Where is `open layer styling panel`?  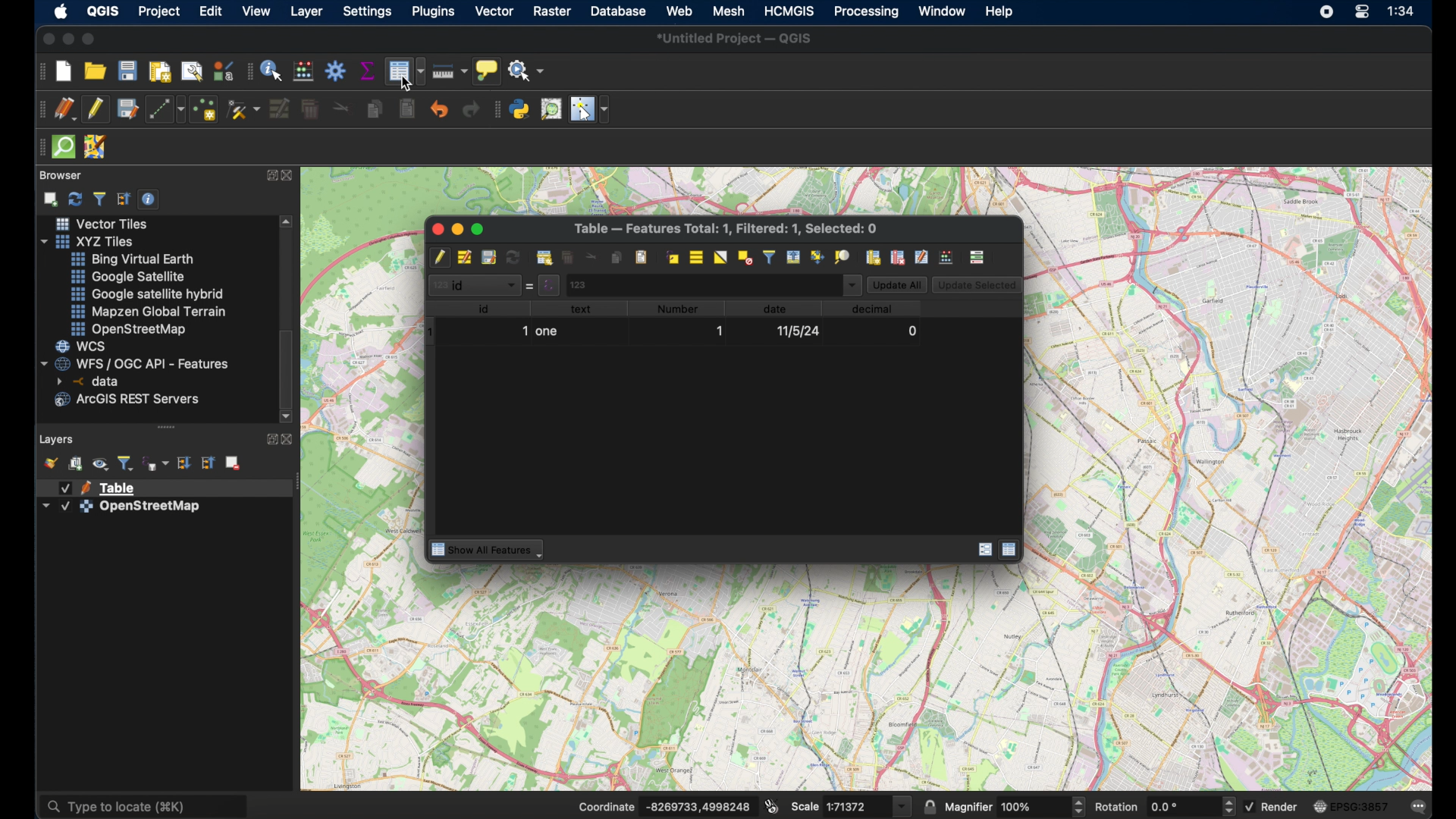 open layer styling panel is located at coordinates (49, 462).